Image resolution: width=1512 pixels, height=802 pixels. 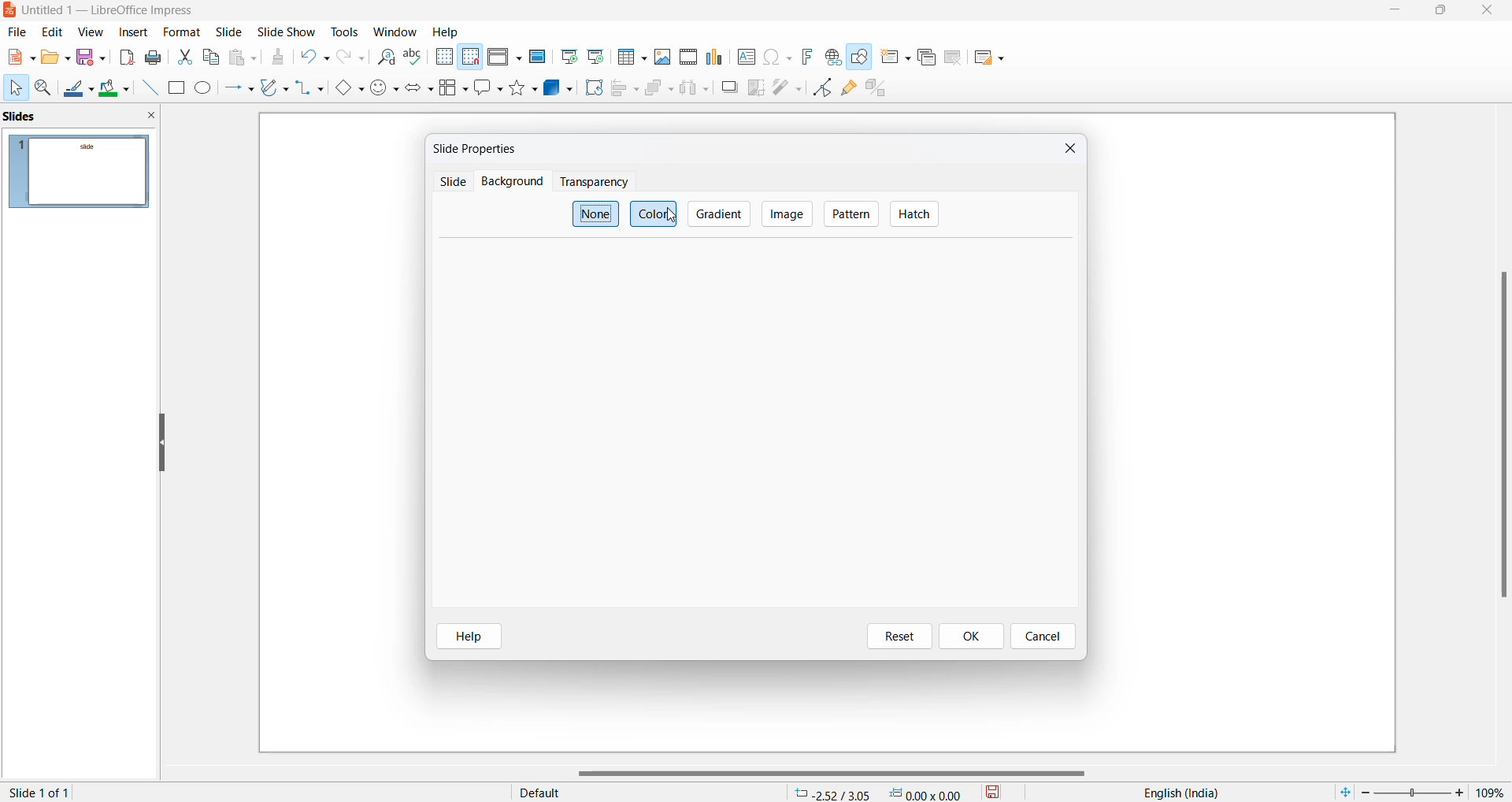 I want to click on maximize, so click(x=1442, y=13).